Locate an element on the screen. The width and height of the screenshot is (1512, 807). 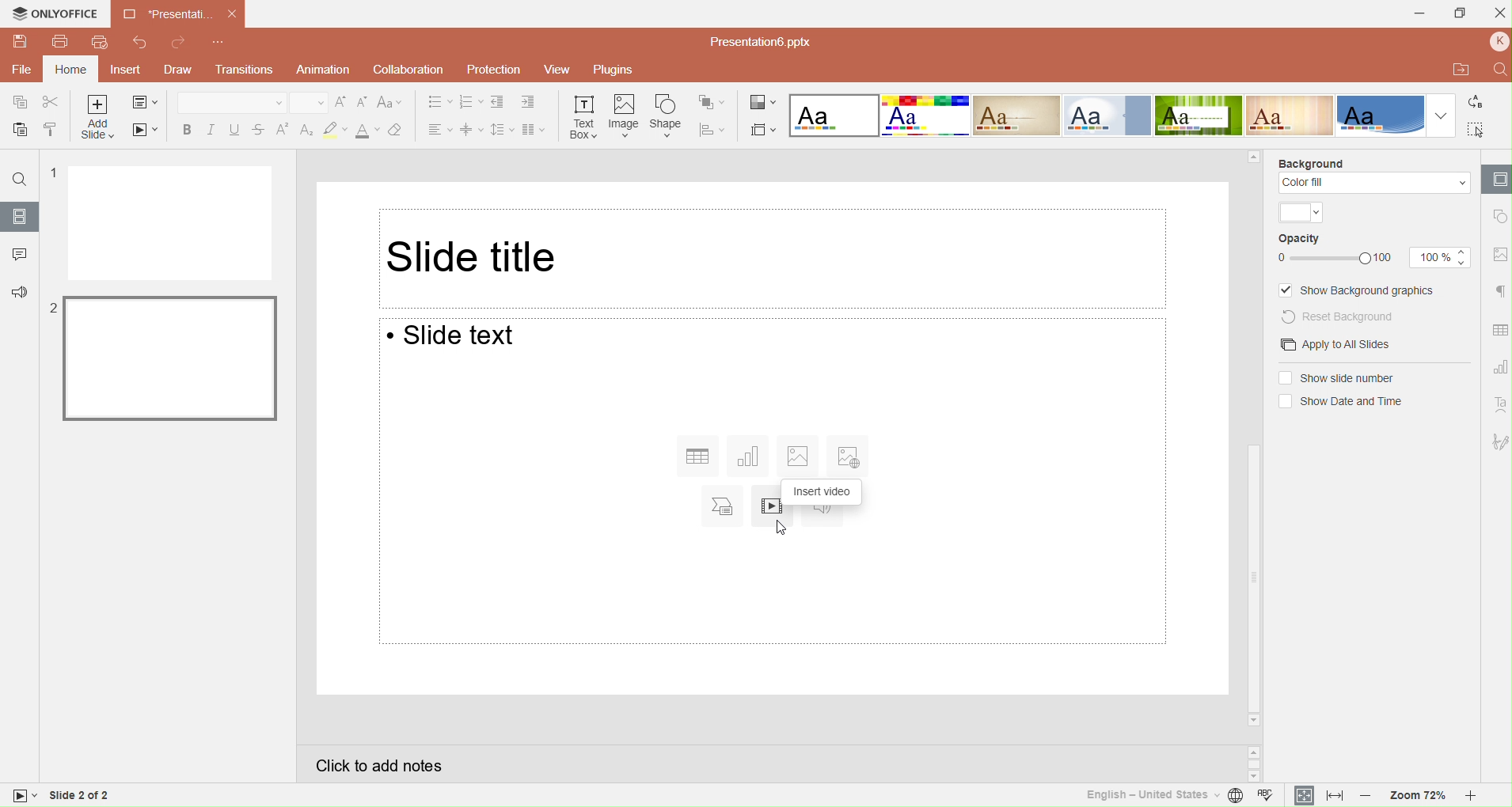
Insert columns is located at coordinates (534, 130).